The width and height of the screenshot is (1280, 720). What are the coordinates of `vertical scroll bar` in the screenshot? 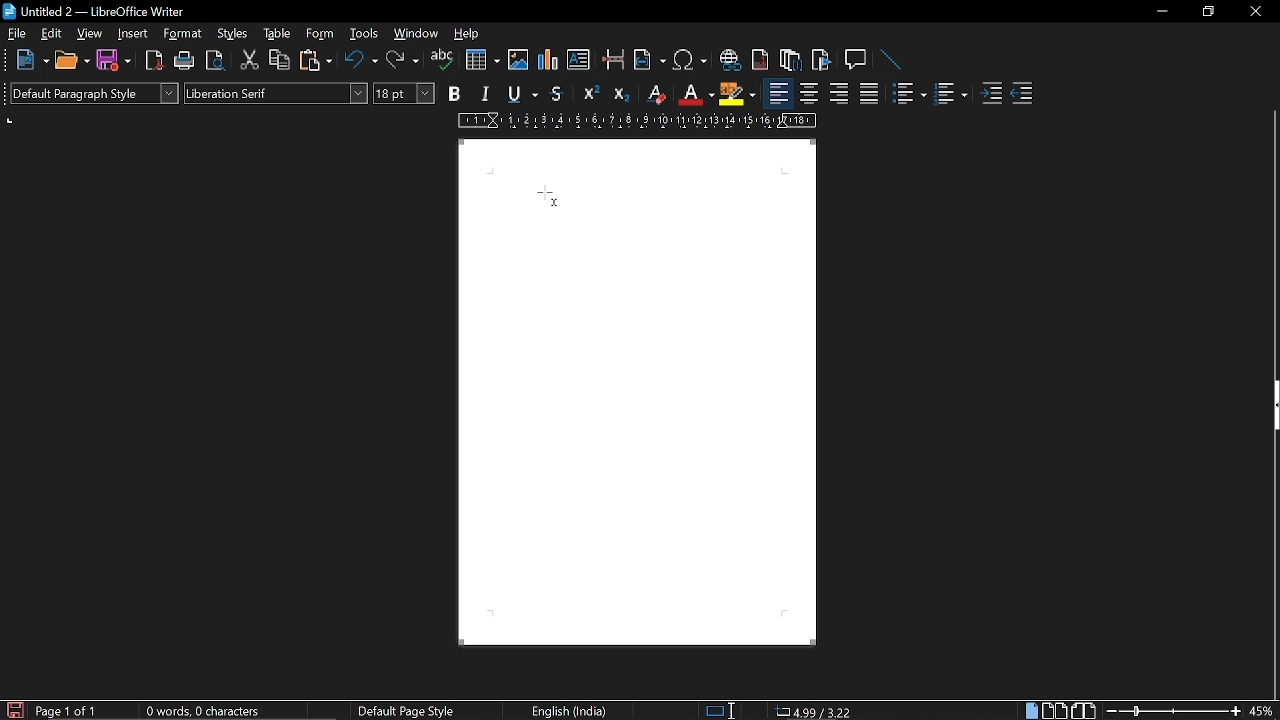 It's located at (1272, 567).